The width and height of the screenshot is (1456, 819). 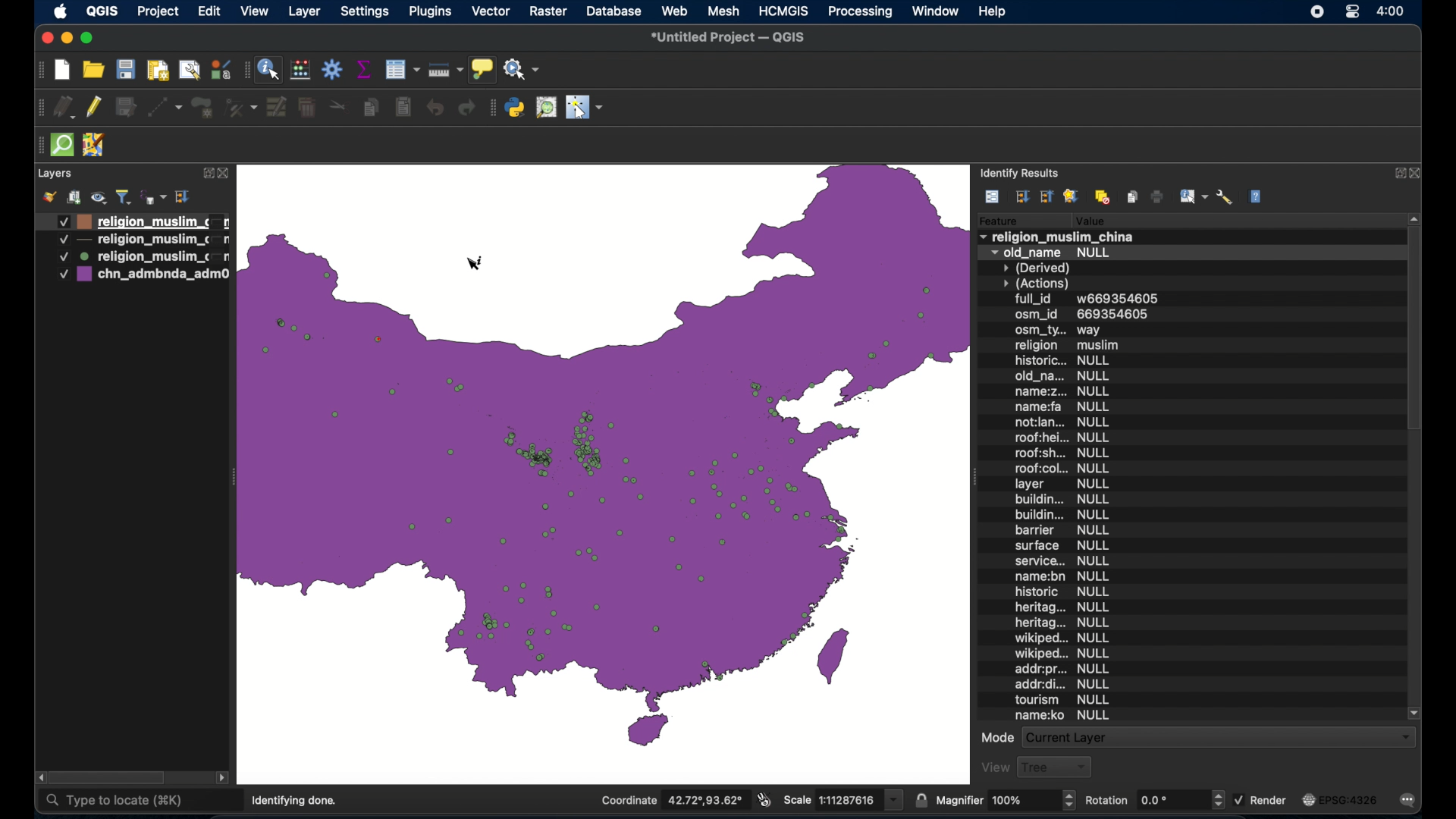 What do you see at coordinates (154, 196) in the screenshot?
I see `filter legend by expression` at bounding box center [154, 196].